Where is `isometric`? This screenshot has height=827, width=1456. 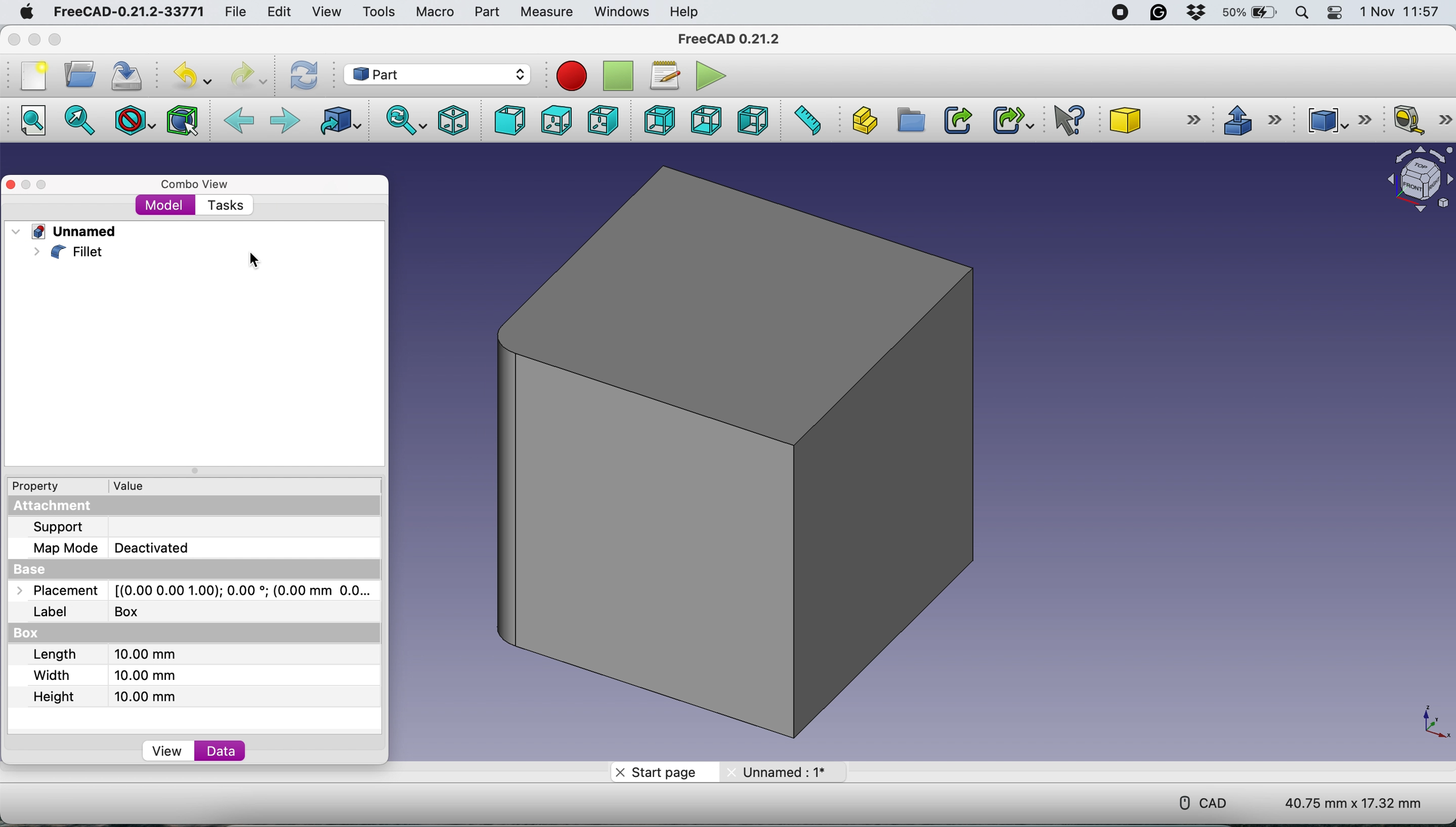 isometric is located at coordinates (449, 121).